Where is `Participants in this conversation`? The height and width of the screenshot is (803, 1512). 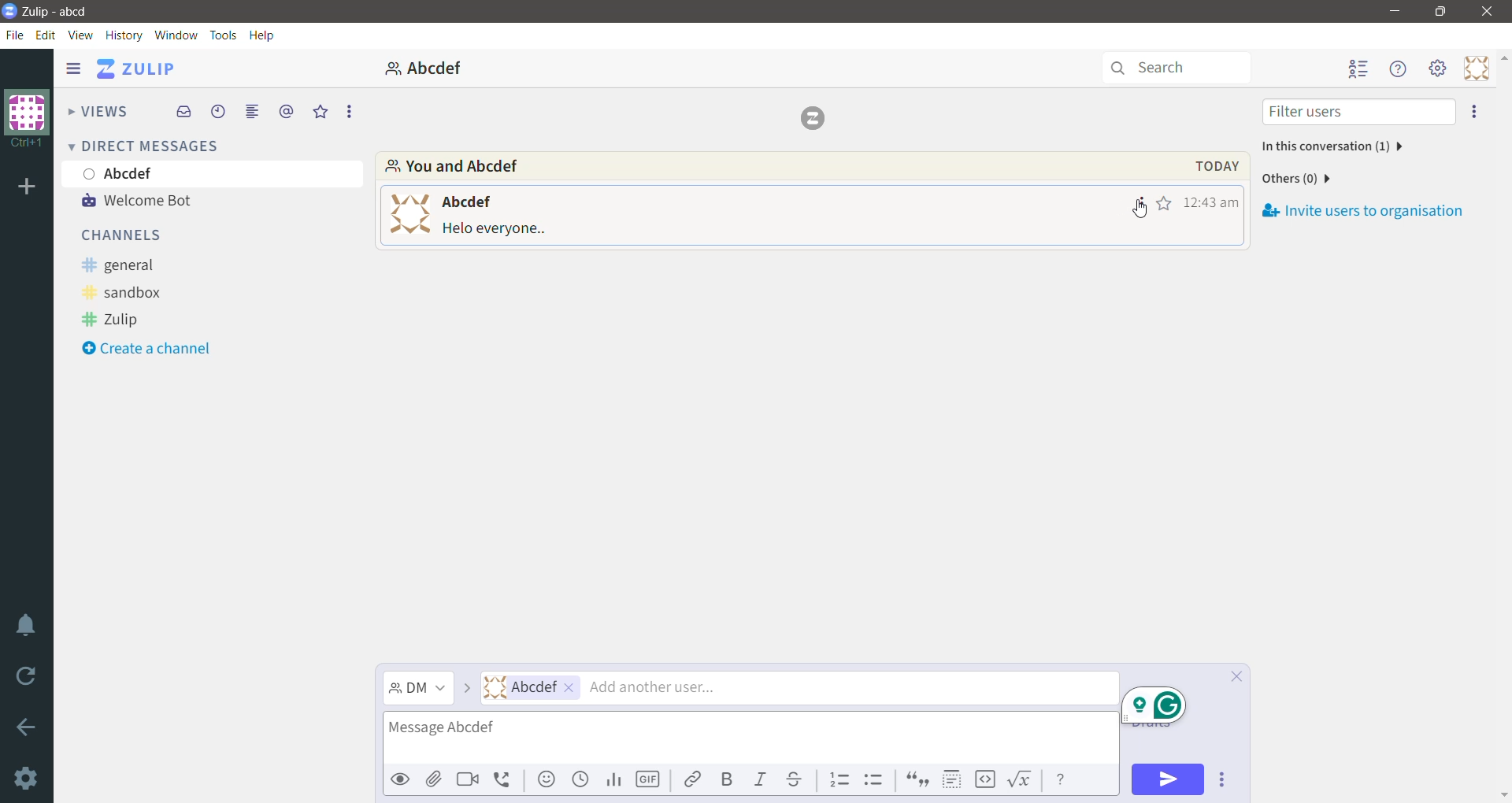 Participants in this conversation is located at coordinates (1330, 146).